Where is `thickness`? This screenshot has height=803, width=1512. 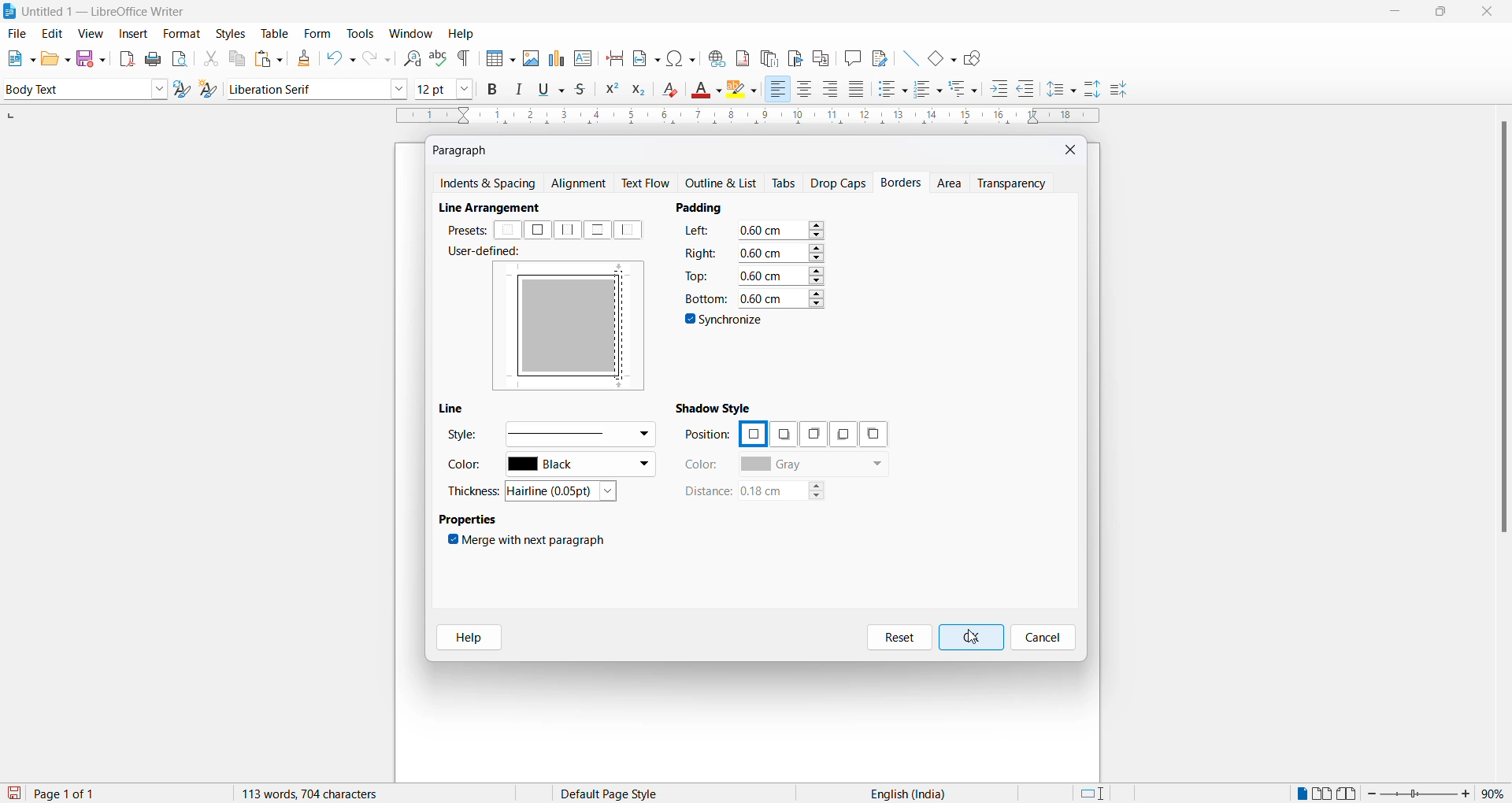 thickness is located at coordinates (476, 490).